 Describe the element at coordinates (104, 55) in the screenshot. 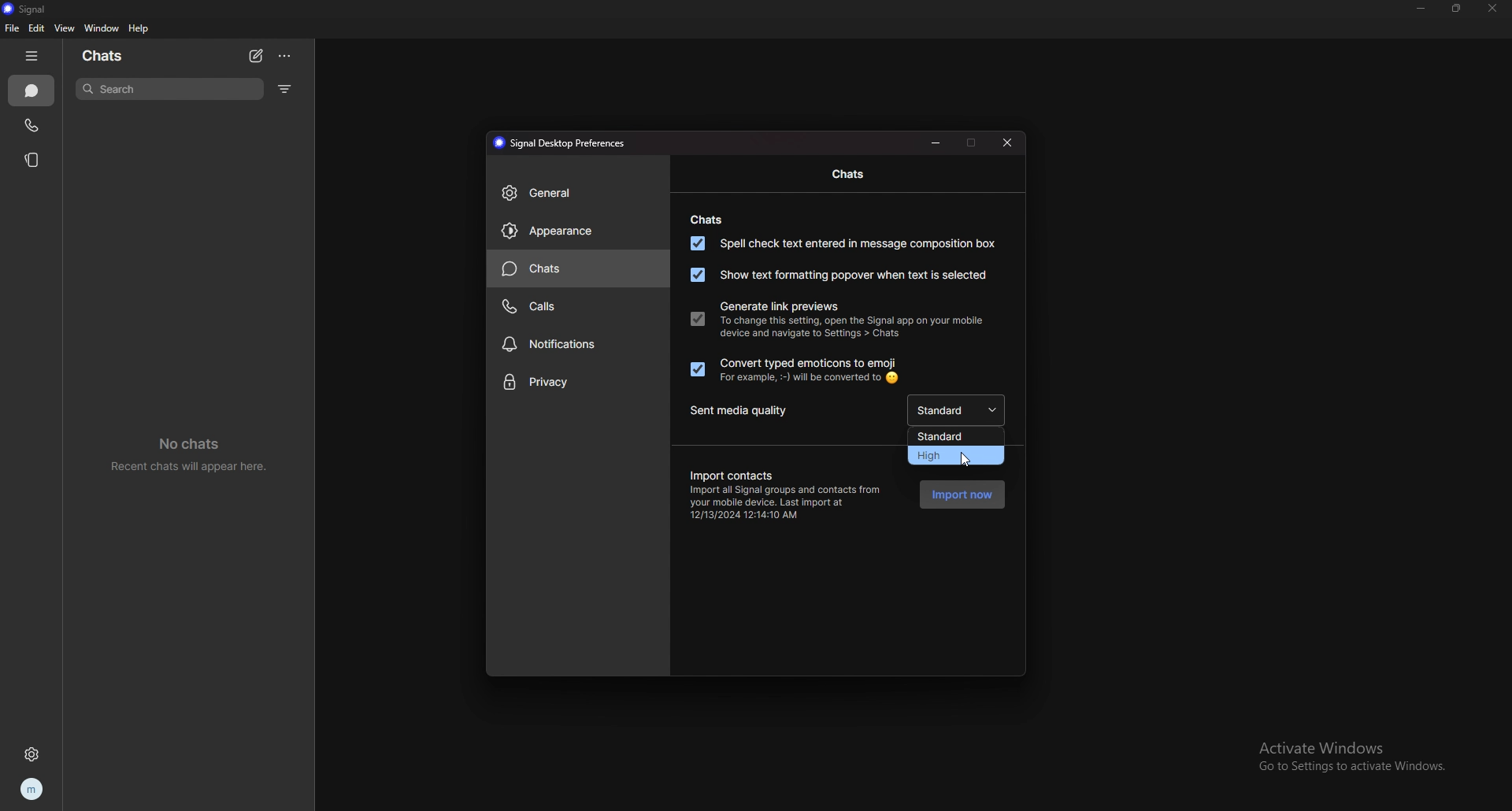

I see `chats` at that location.